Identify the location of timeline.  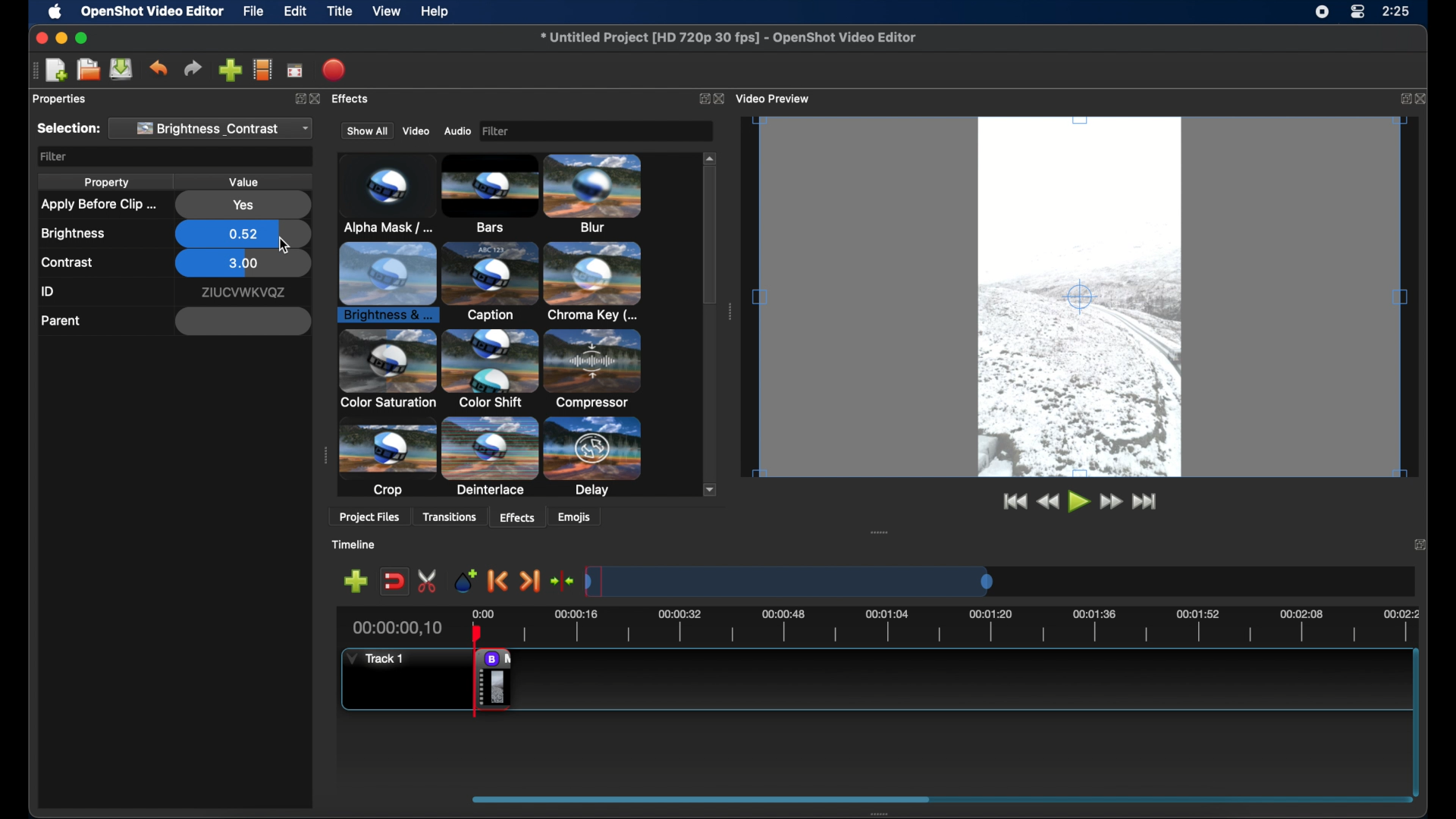
(361, 545).